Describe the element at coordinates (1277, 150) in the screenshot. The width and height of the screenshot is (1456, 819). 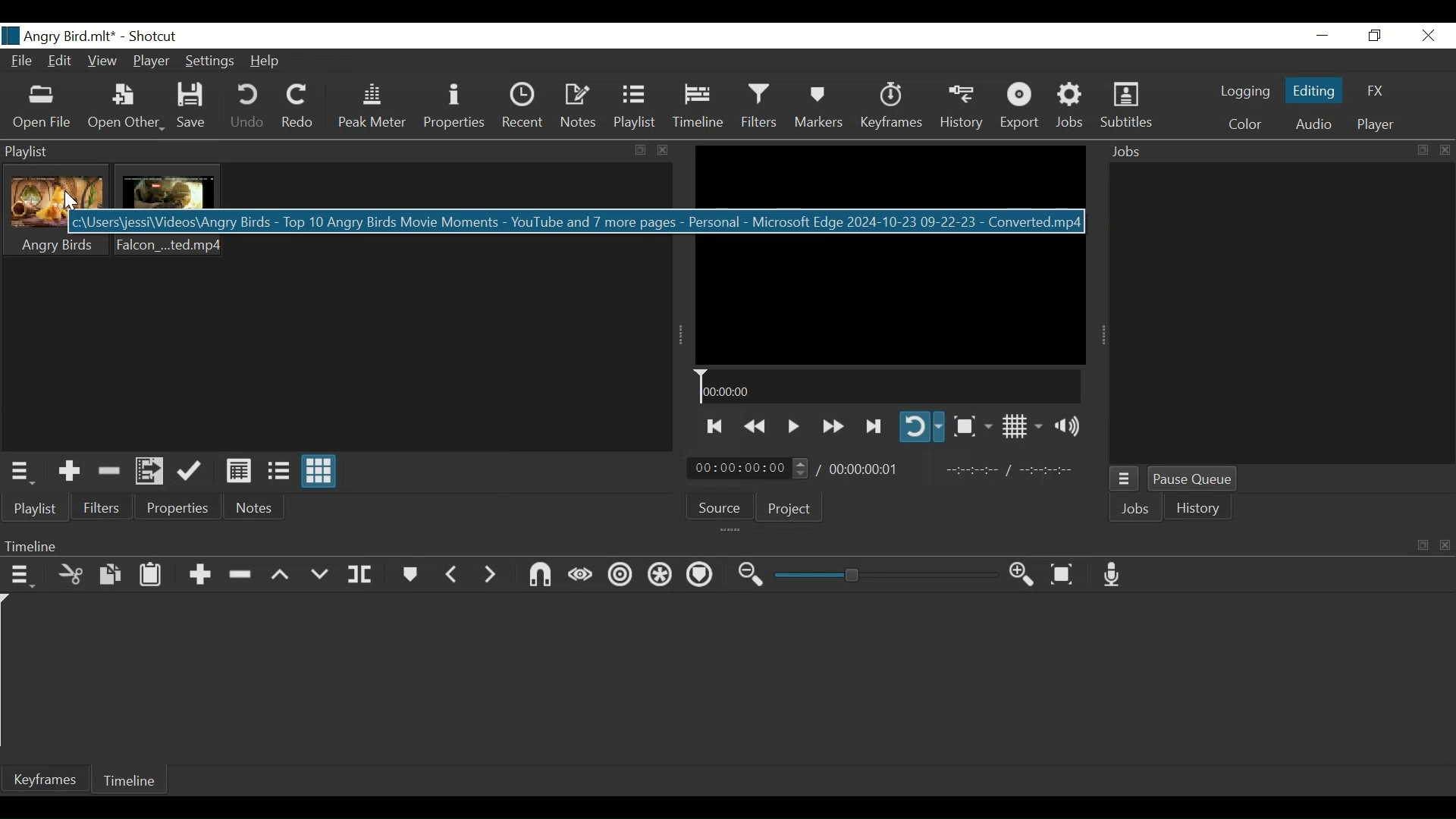
I see `Jobs Panel` at that location.